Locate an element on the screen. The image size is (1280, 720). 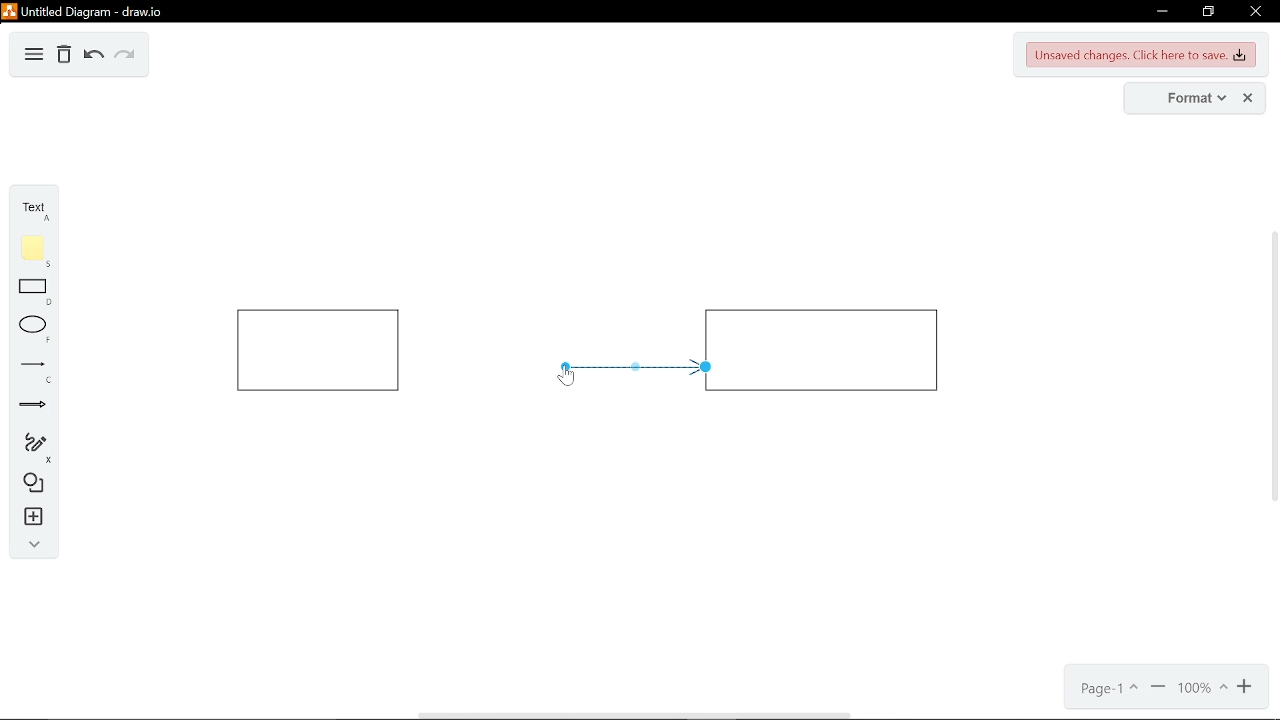
ellipse is located at coordinates (30, 330).